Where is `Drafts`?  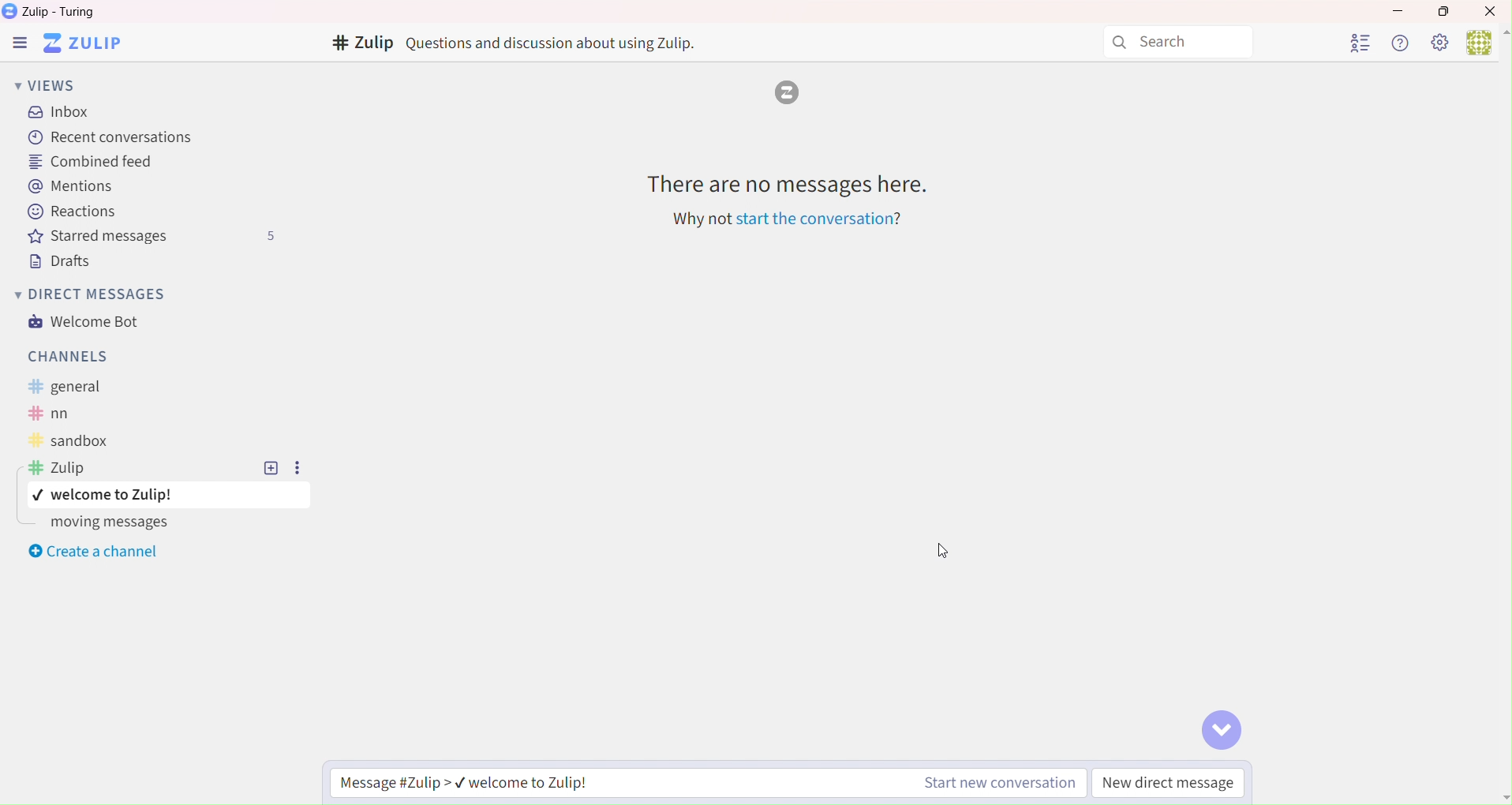
Drafts is located at coordinates (51, 260).